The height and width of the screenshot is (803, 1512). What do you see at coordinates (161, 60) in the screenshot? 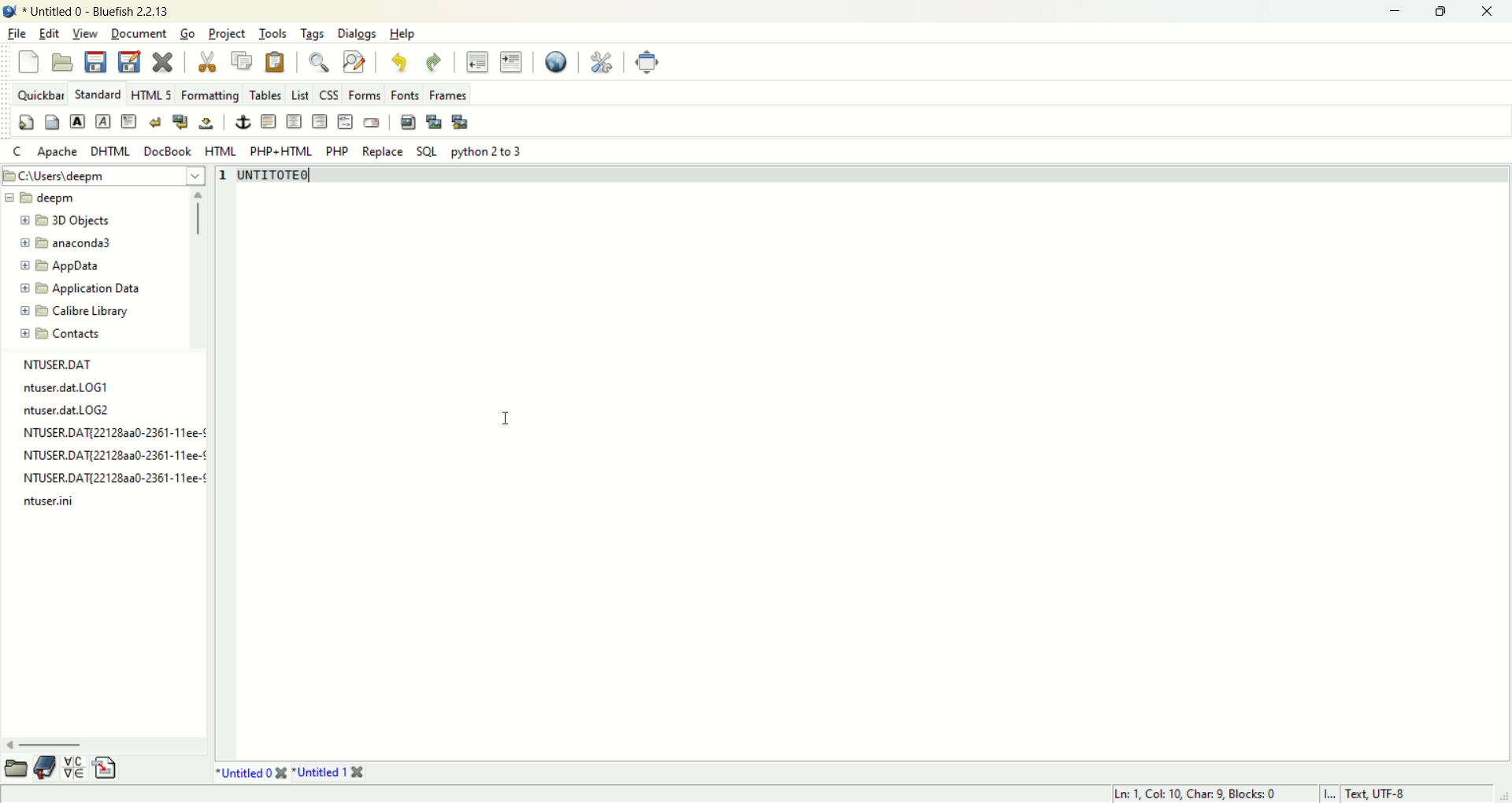
I see `close` at bounding box center [161, 60].